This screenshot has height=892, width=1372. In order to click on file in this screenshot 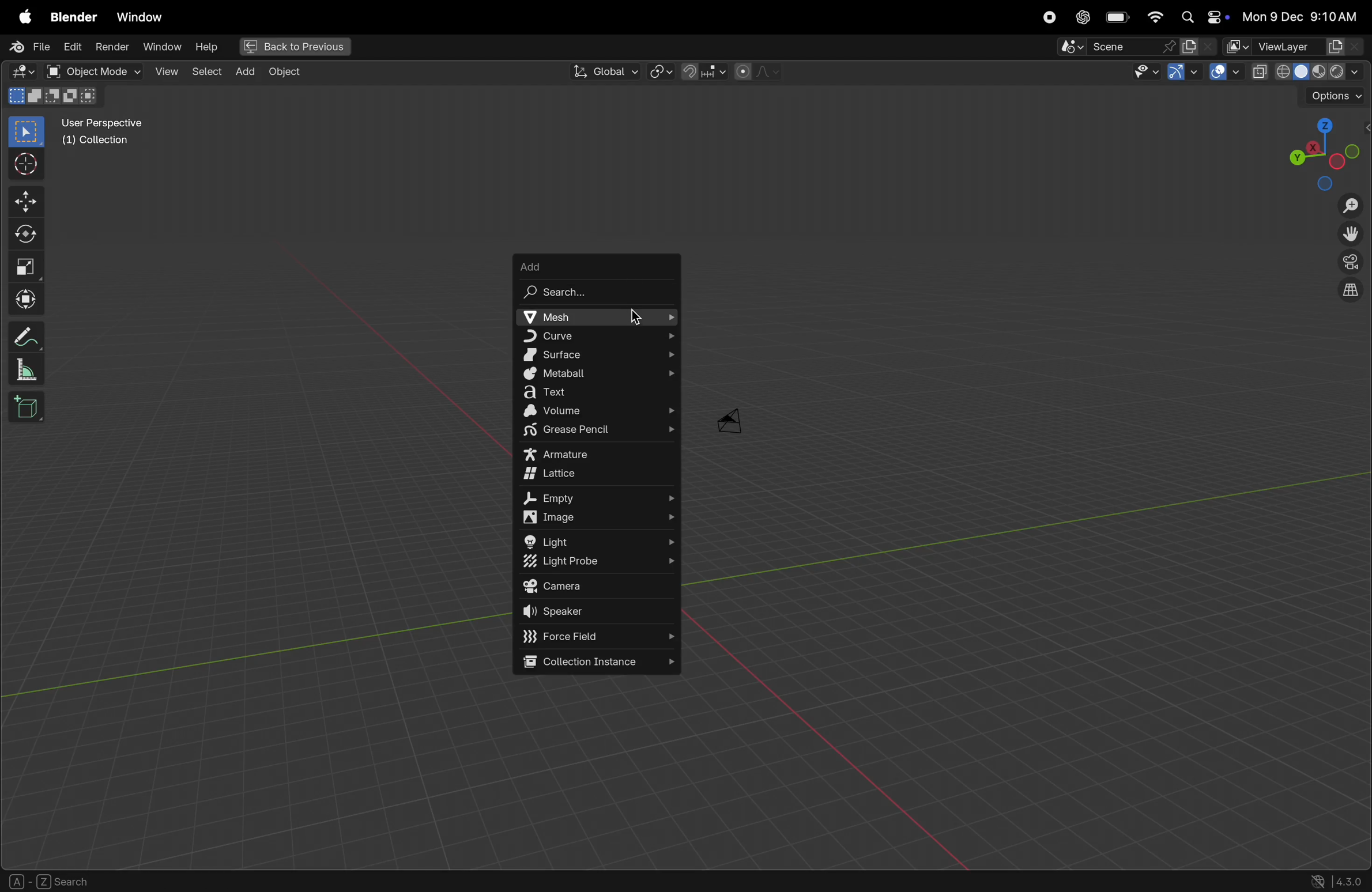, I will do `click(27, 47)`.